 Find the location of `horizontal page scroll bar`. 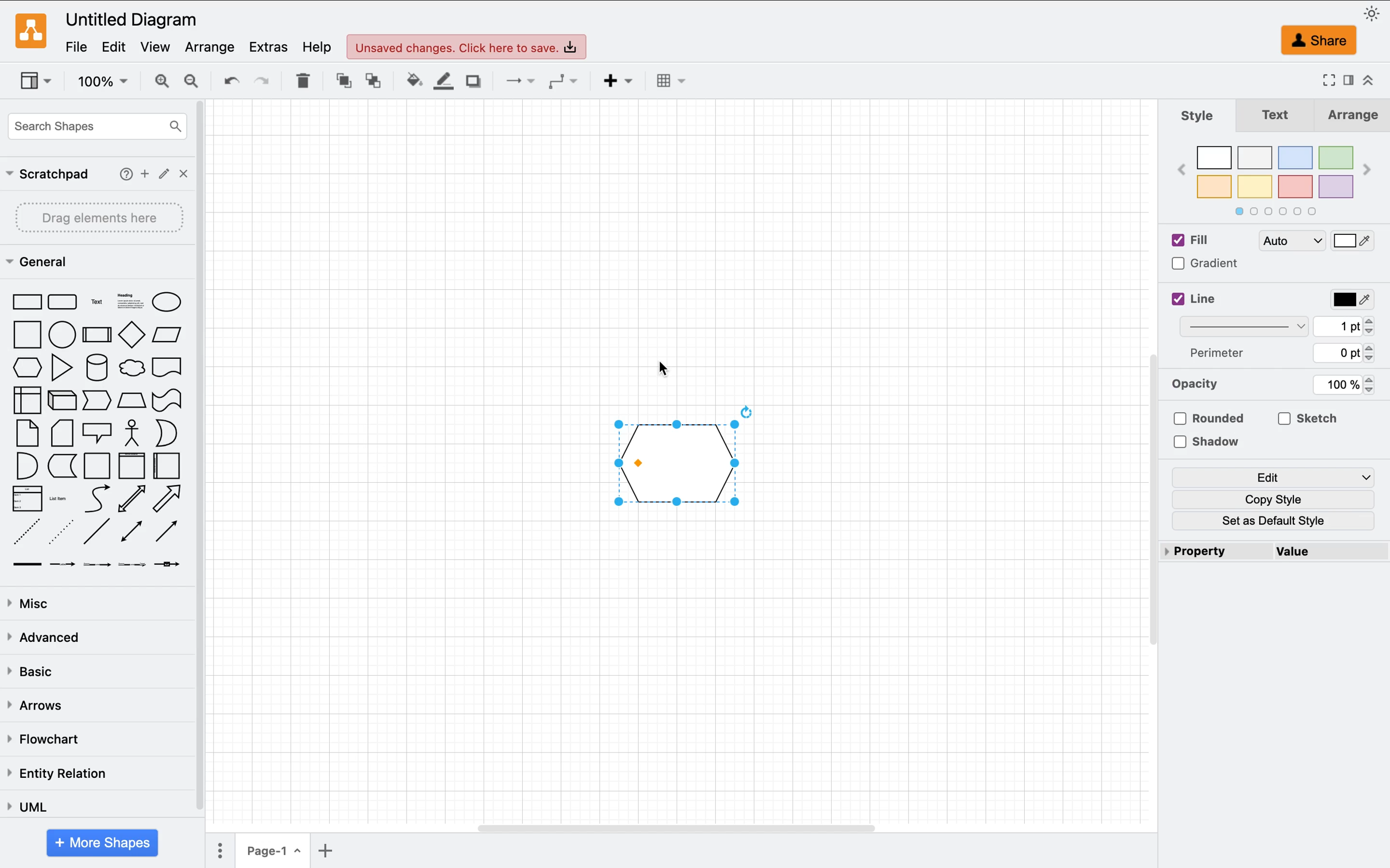

horizontal page scroll bar is located at coordinates (670, 827).